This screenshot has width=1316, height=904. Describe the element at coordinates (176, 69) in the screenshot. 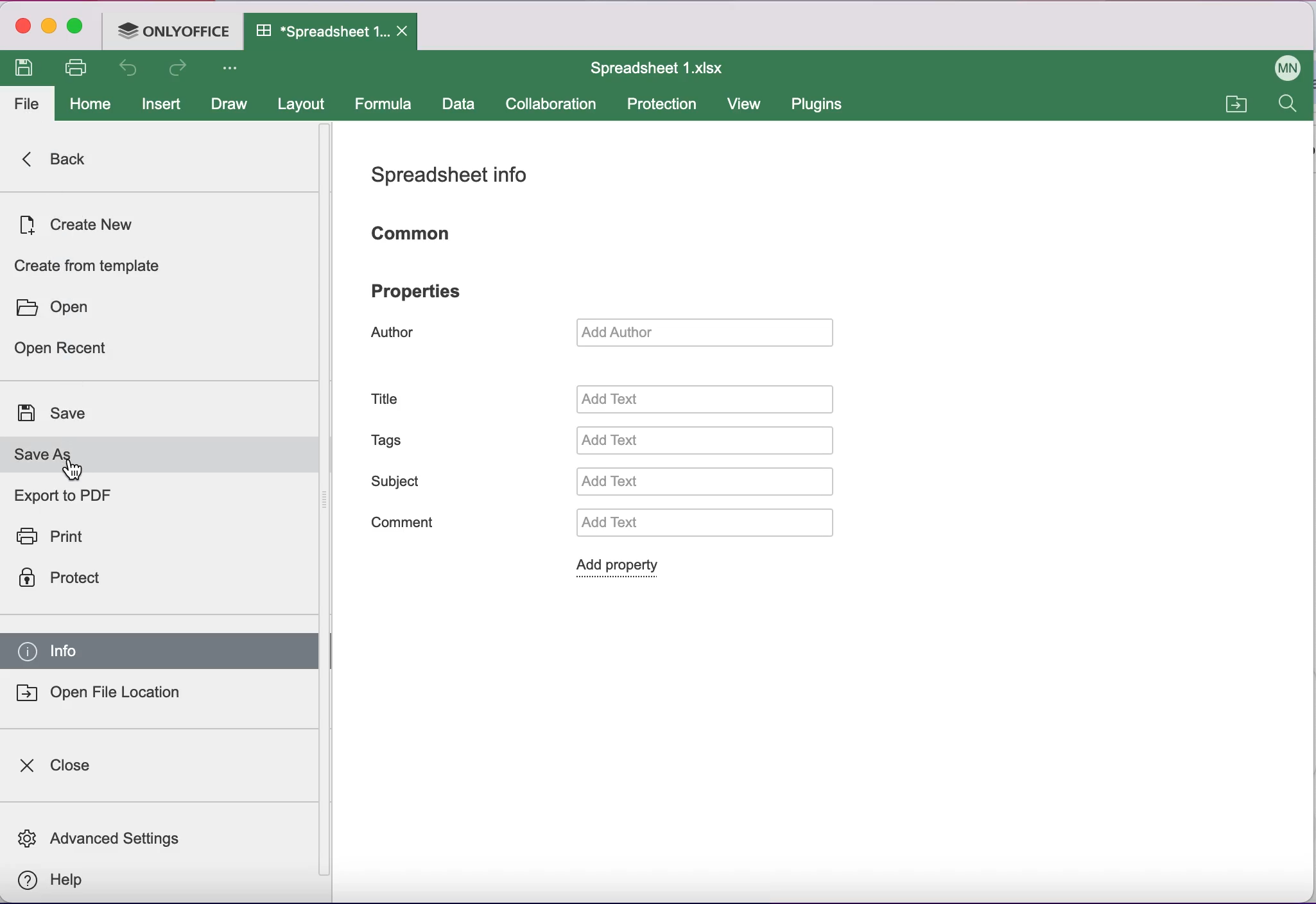

I see `forwards` at that location.